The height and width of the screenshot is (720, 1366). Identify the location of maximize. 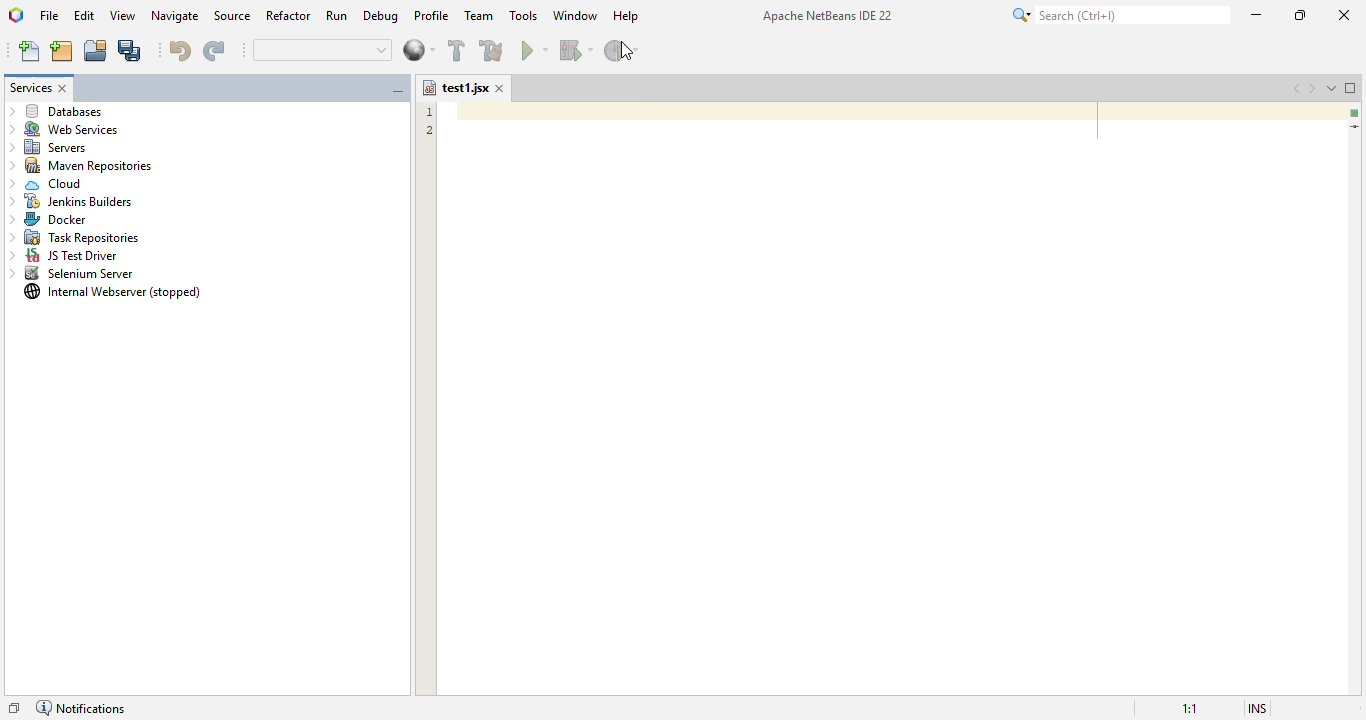
(1299, 15).